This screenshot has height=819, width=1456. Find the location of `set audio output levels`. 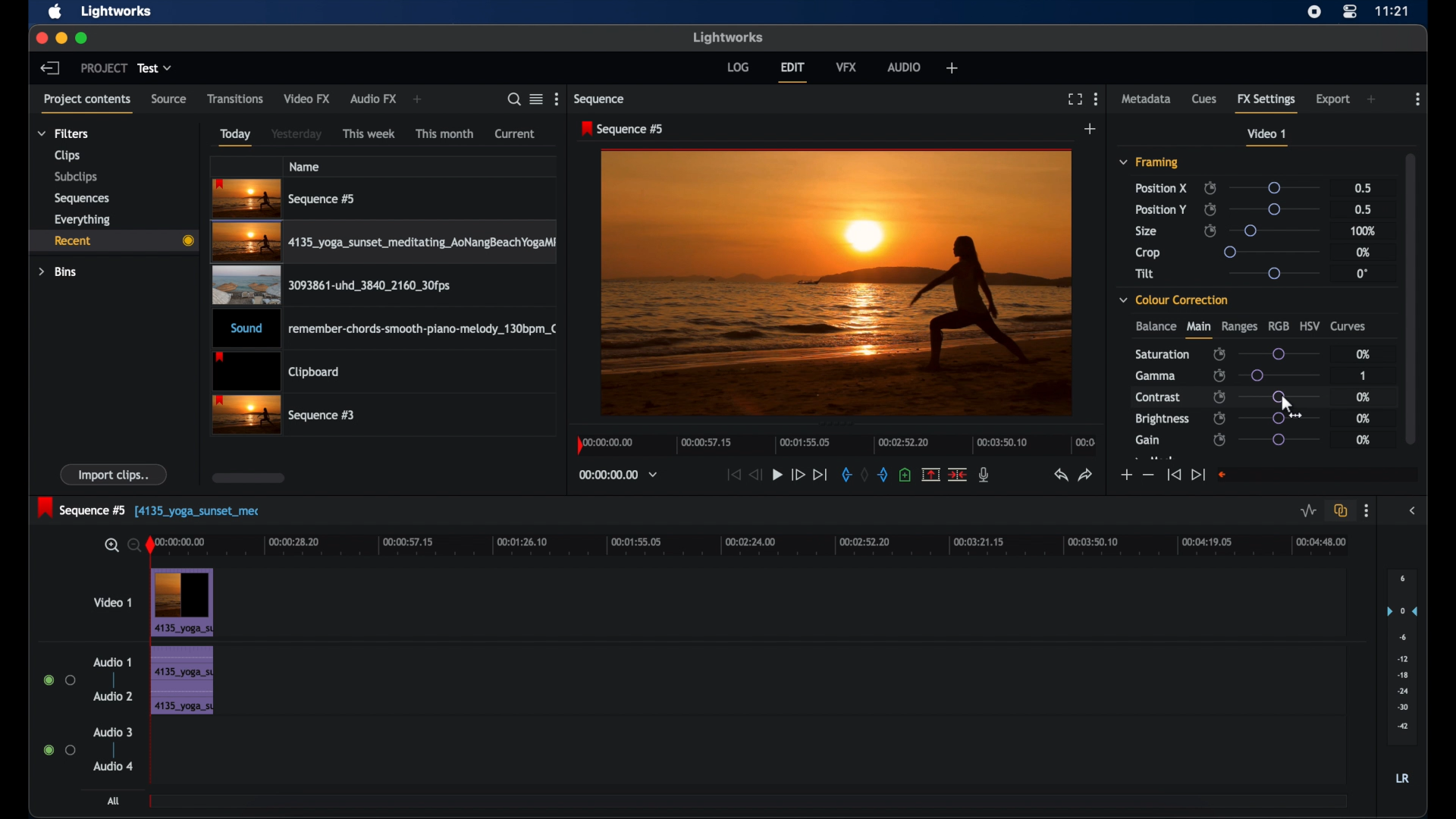

set audio output levels is located at coordinates (1402, 655).